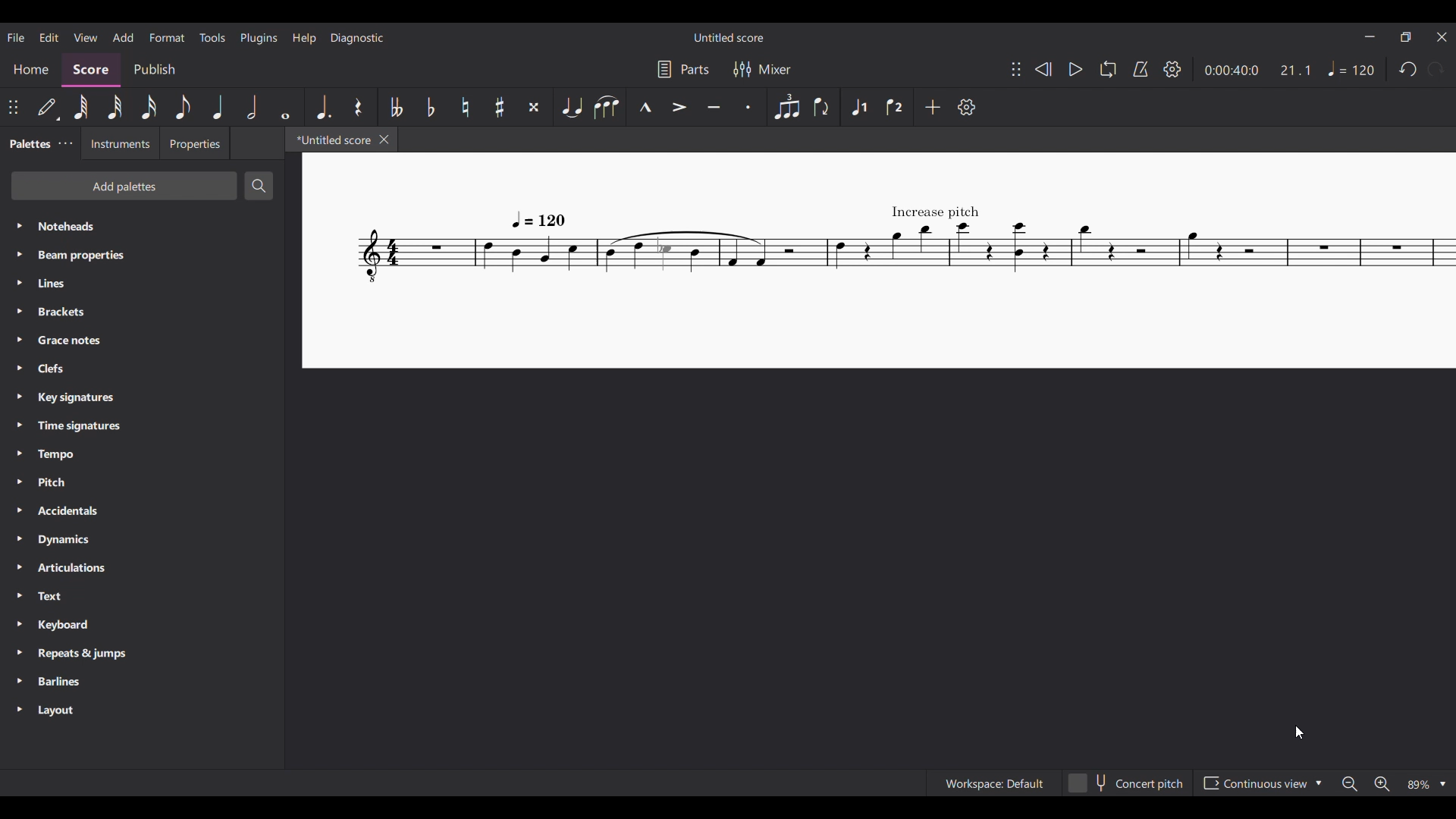 The image size is (1456, 819). Describe the element at coordinates (933, 108) in the screenshot. I see `Add` at that location.